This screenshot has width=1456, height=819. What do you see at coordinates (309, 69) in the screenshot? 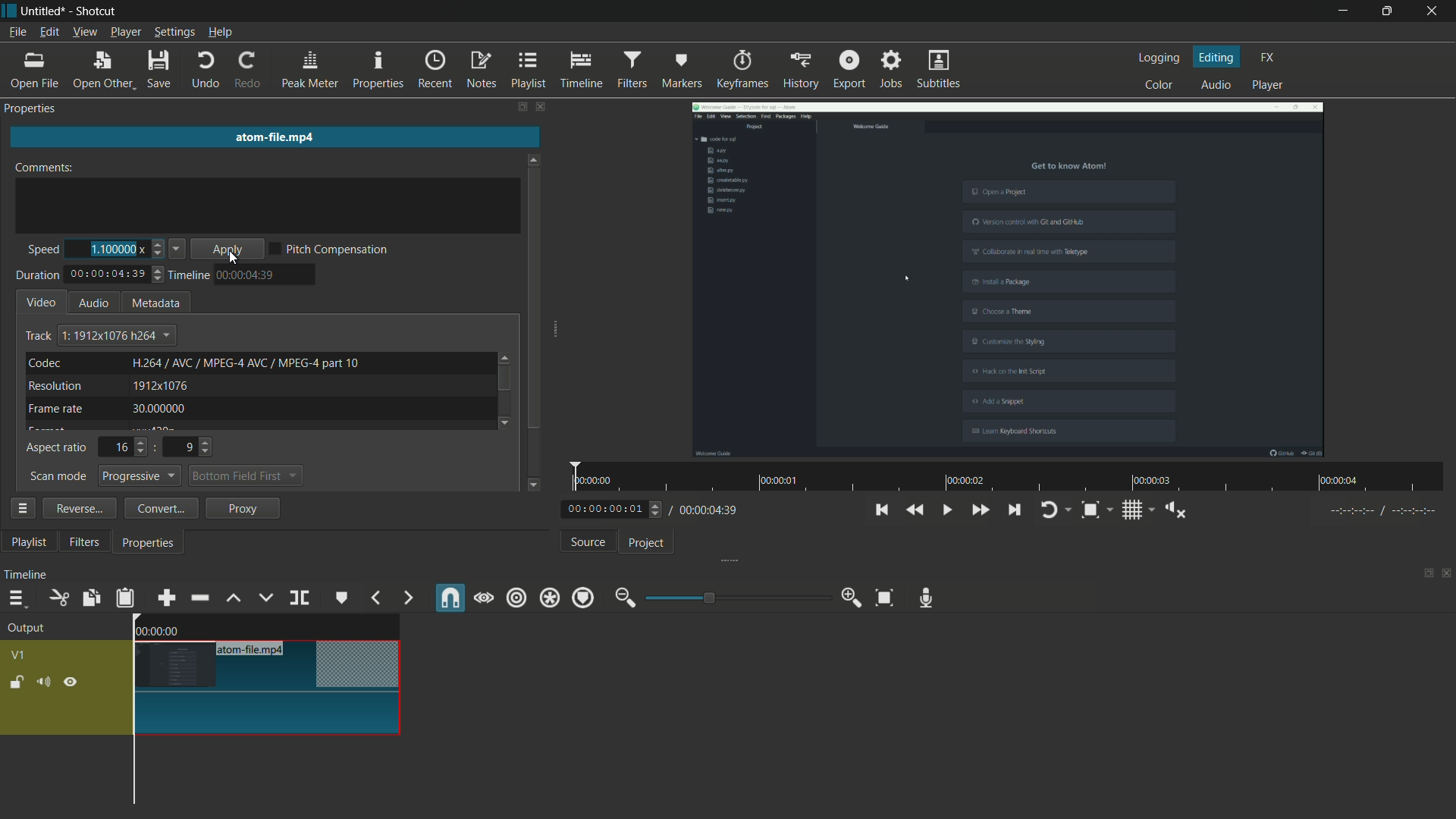
I see `peak meter` at bounding box center [309, 69].